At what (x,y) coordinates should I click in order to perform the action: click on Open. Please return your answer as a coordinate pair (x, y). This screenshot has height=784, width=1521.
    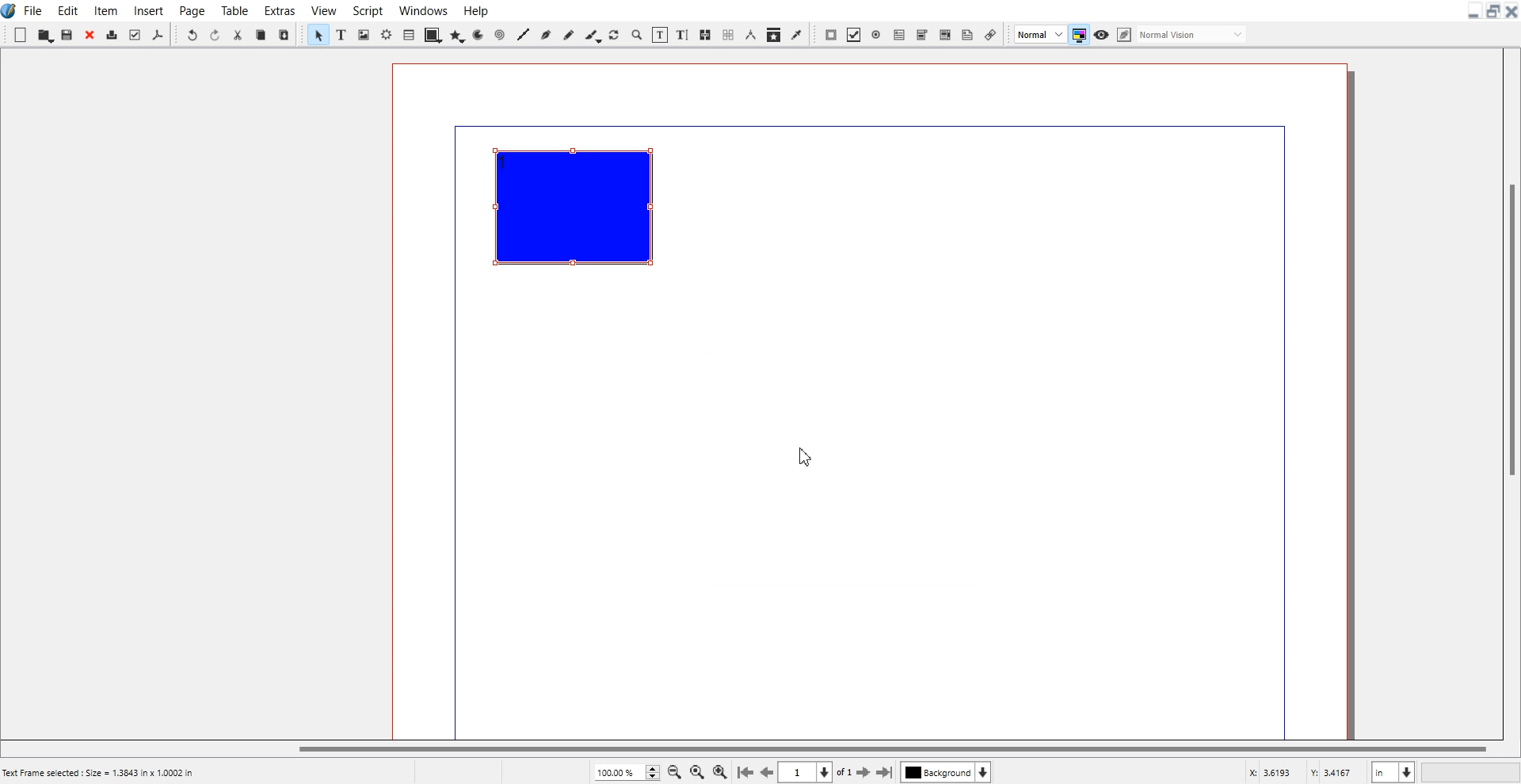
    Looking at the image, I should click on (45, 35).